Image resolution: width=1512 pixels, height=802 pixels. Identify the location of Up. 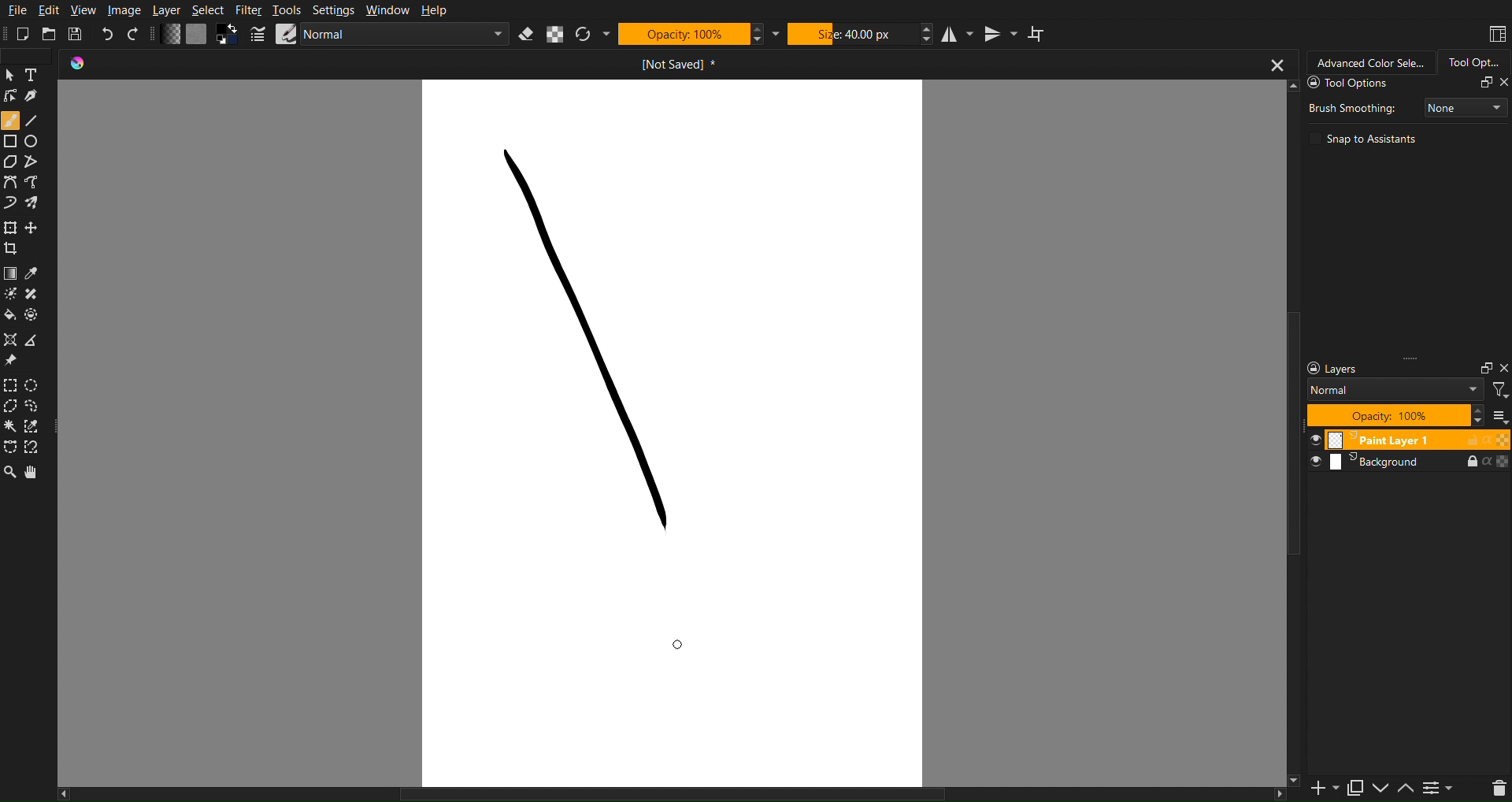
(1406, 789).